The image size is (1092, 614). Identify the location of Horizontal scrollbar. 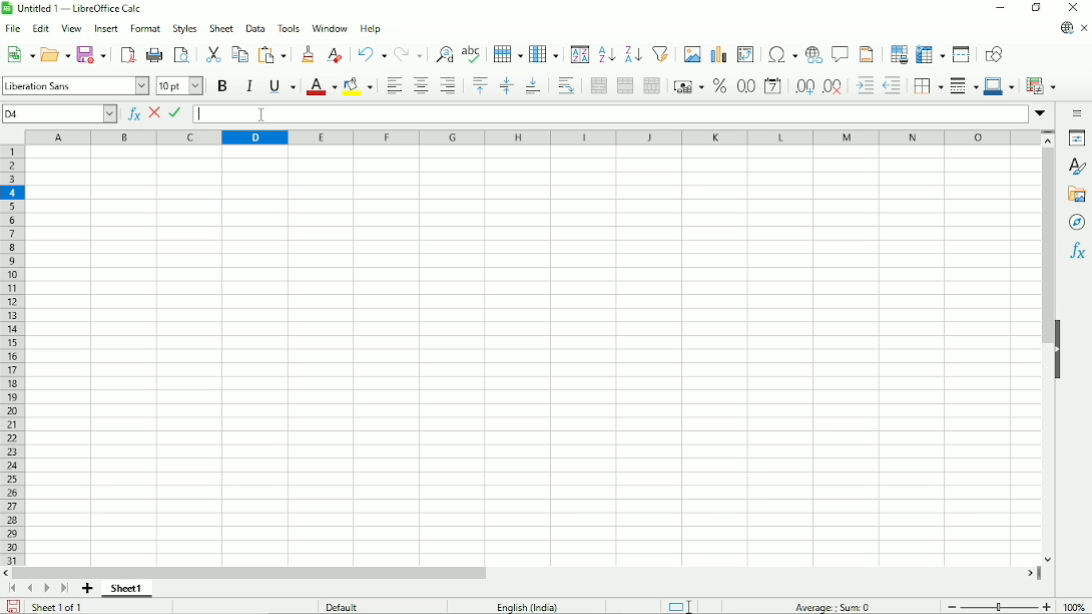
(526, 573).